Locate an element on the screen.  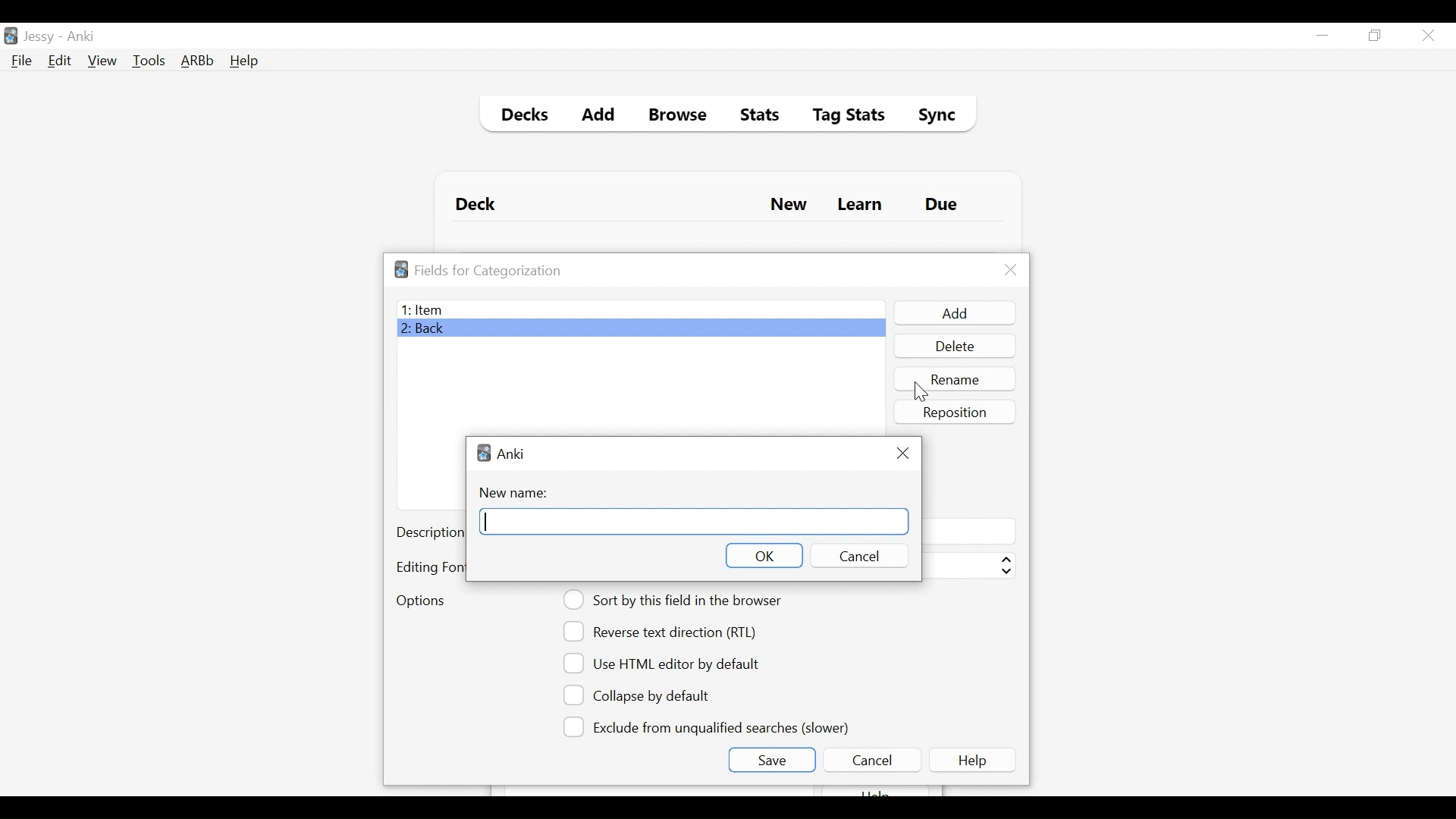
Due is located at coordinates (943, 205).